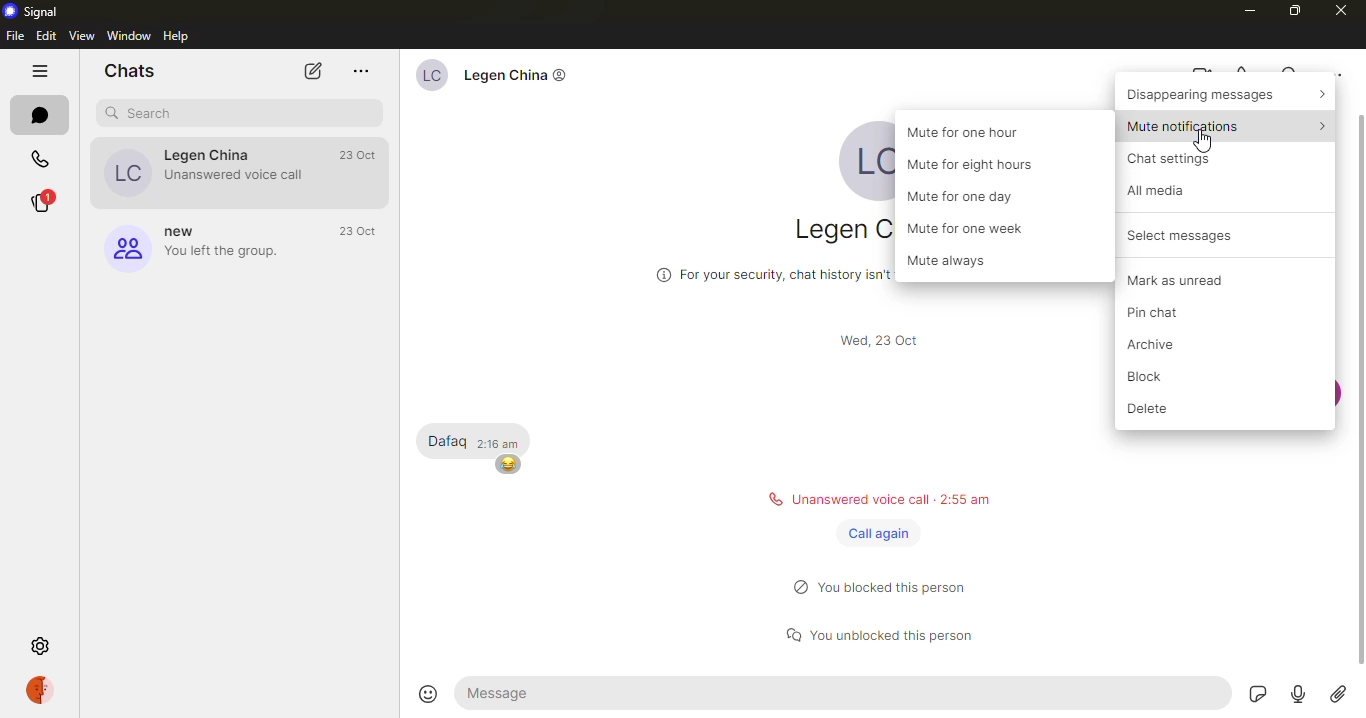 The image size is (1366, 718). I want to click on mark as unread, so click(1185, 280).